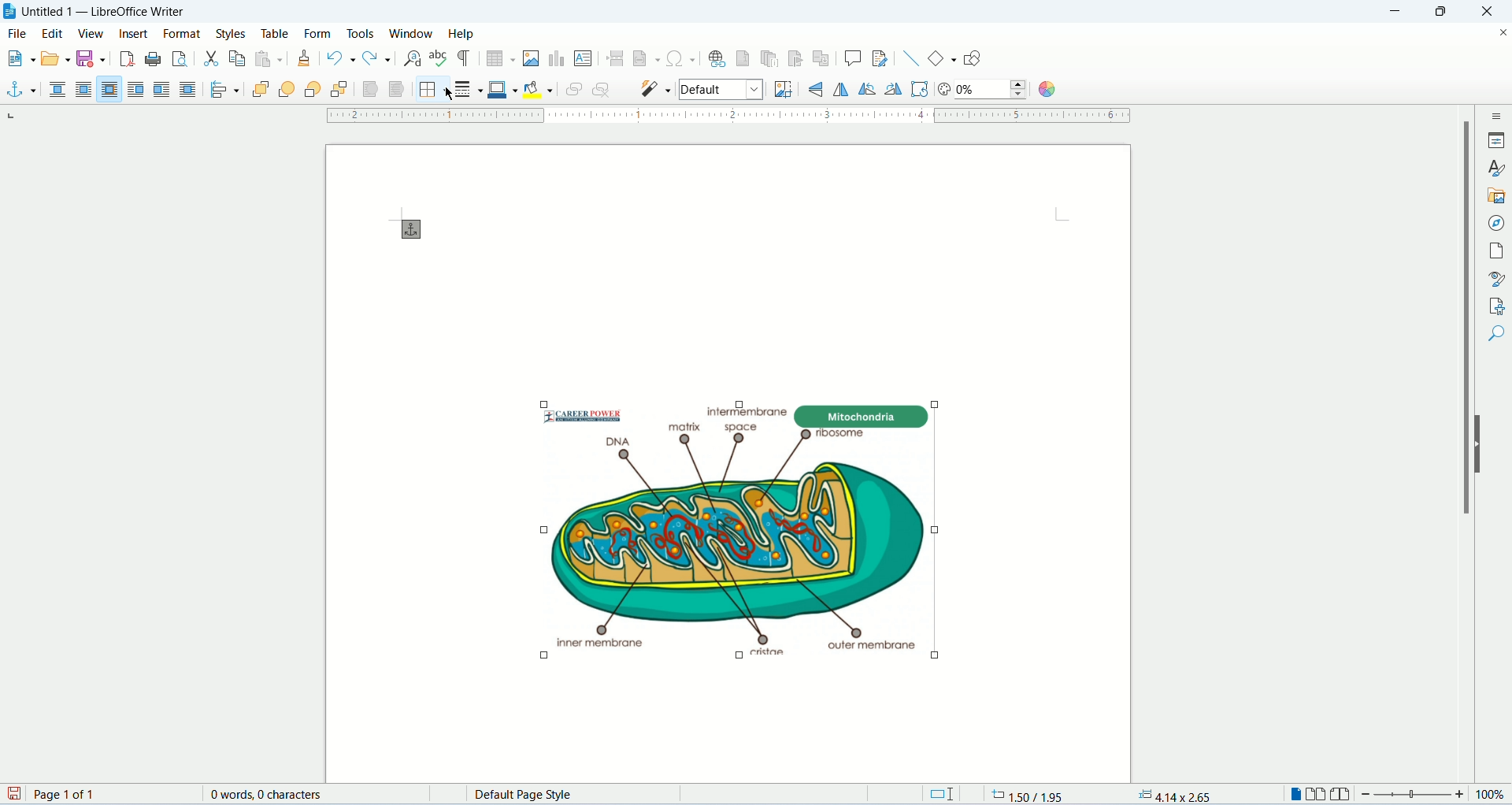  What do you see at coordinates (1498, 115) in the screenshot?
I see `sidebar settings` at bounding box center [1498, 115].